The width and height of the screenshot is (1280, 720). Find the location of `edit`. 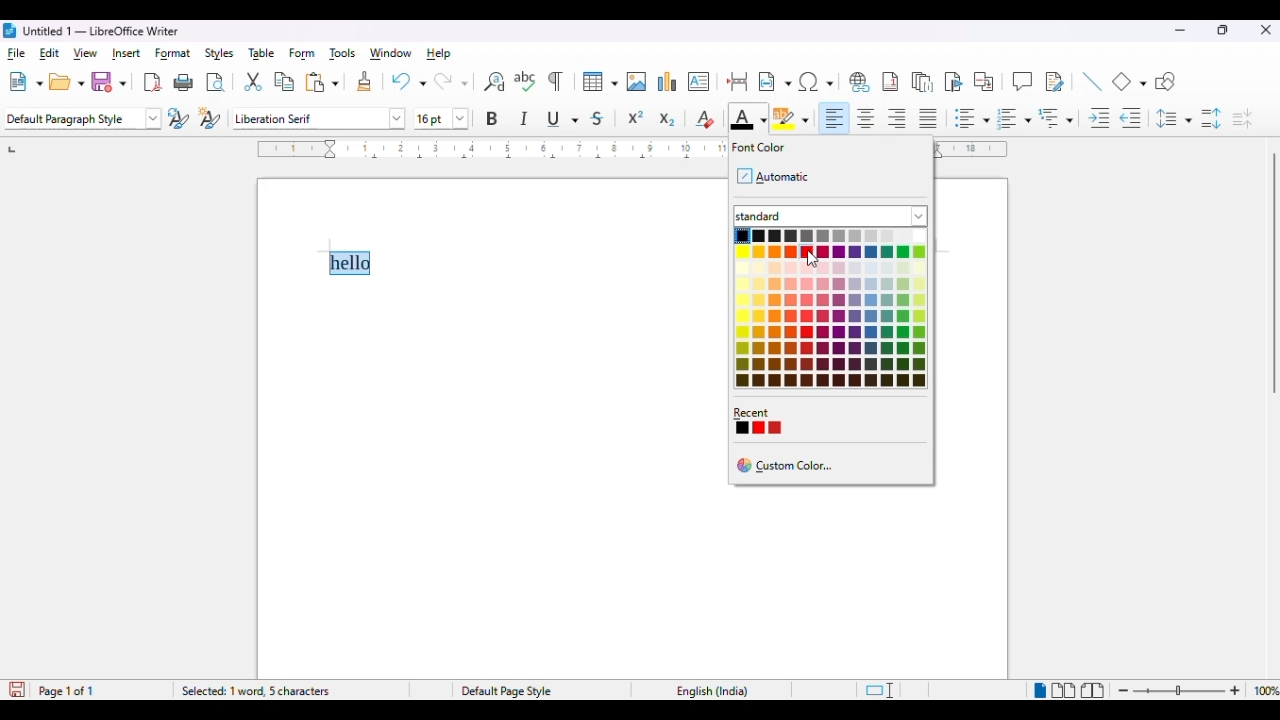

edit is located at coordinates (50, 53).